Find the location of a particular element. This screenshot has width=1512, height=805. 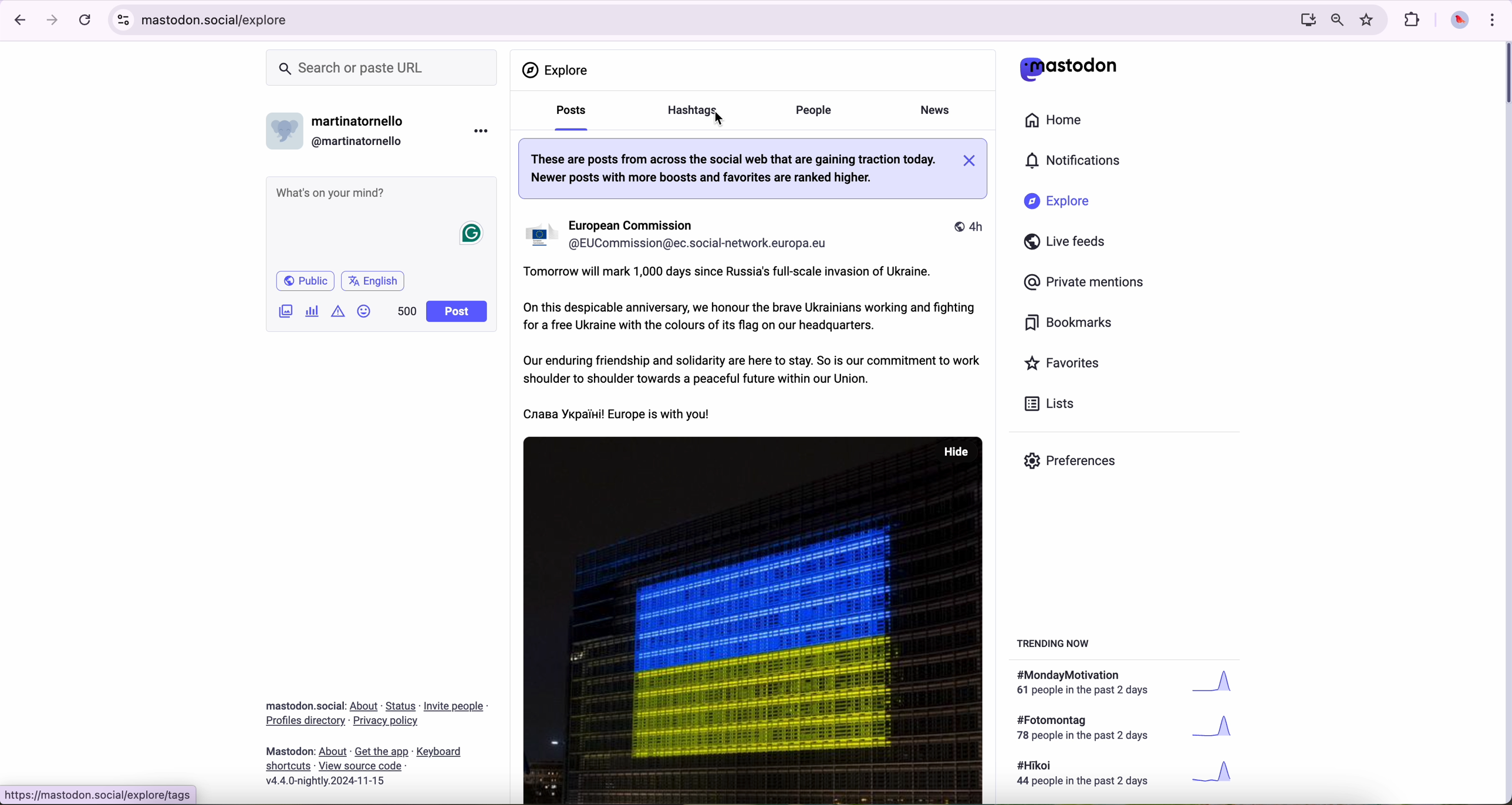

refresh the page is located at coordinates (85, 21).